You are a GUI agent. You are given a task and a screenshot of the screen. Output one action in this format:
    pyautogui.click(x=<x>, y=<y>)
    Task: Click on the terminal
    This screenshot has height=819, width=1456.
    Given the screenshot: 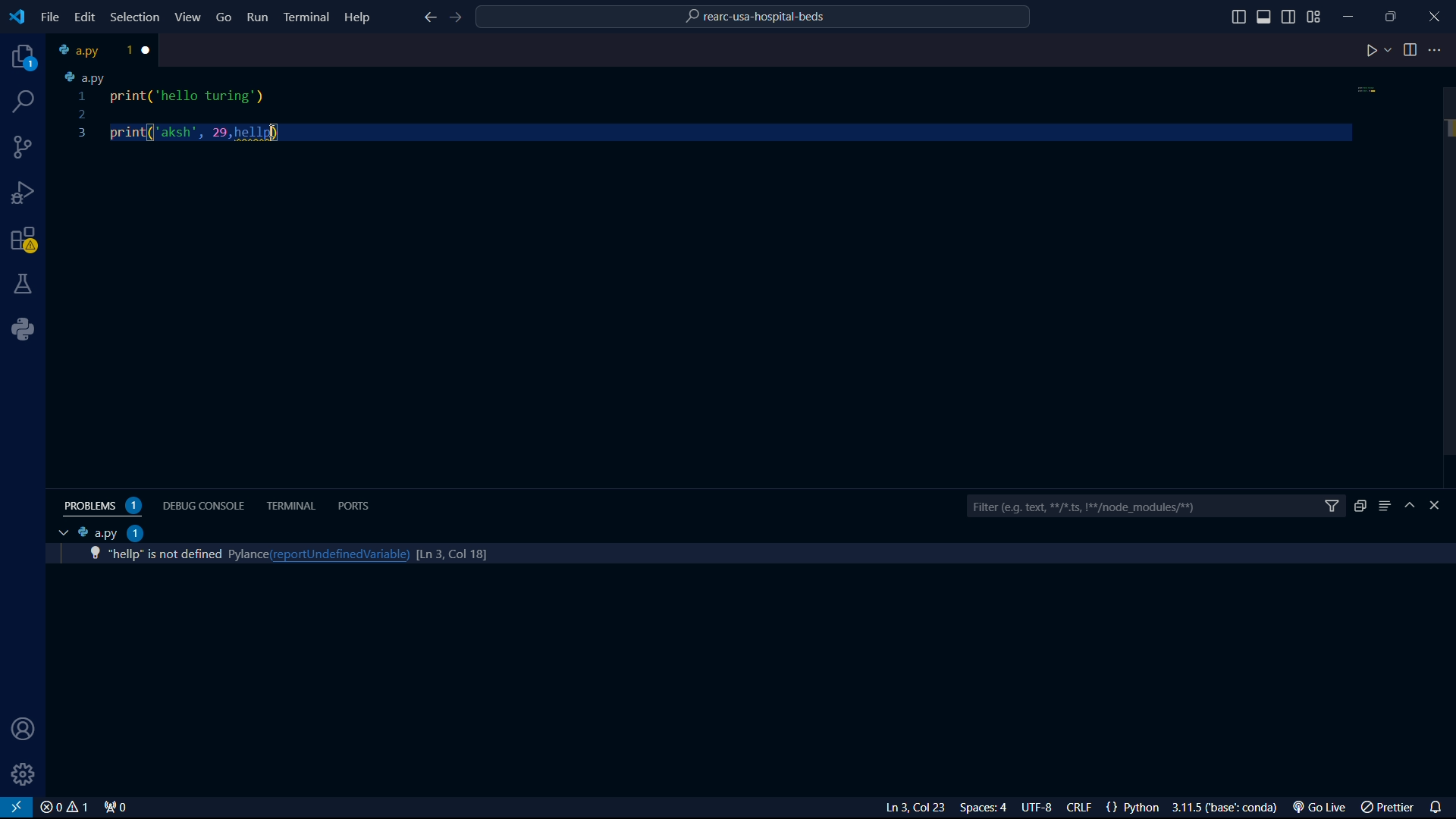 What is the action you would take?
    pyautogui.click(x=292, y=506)
    